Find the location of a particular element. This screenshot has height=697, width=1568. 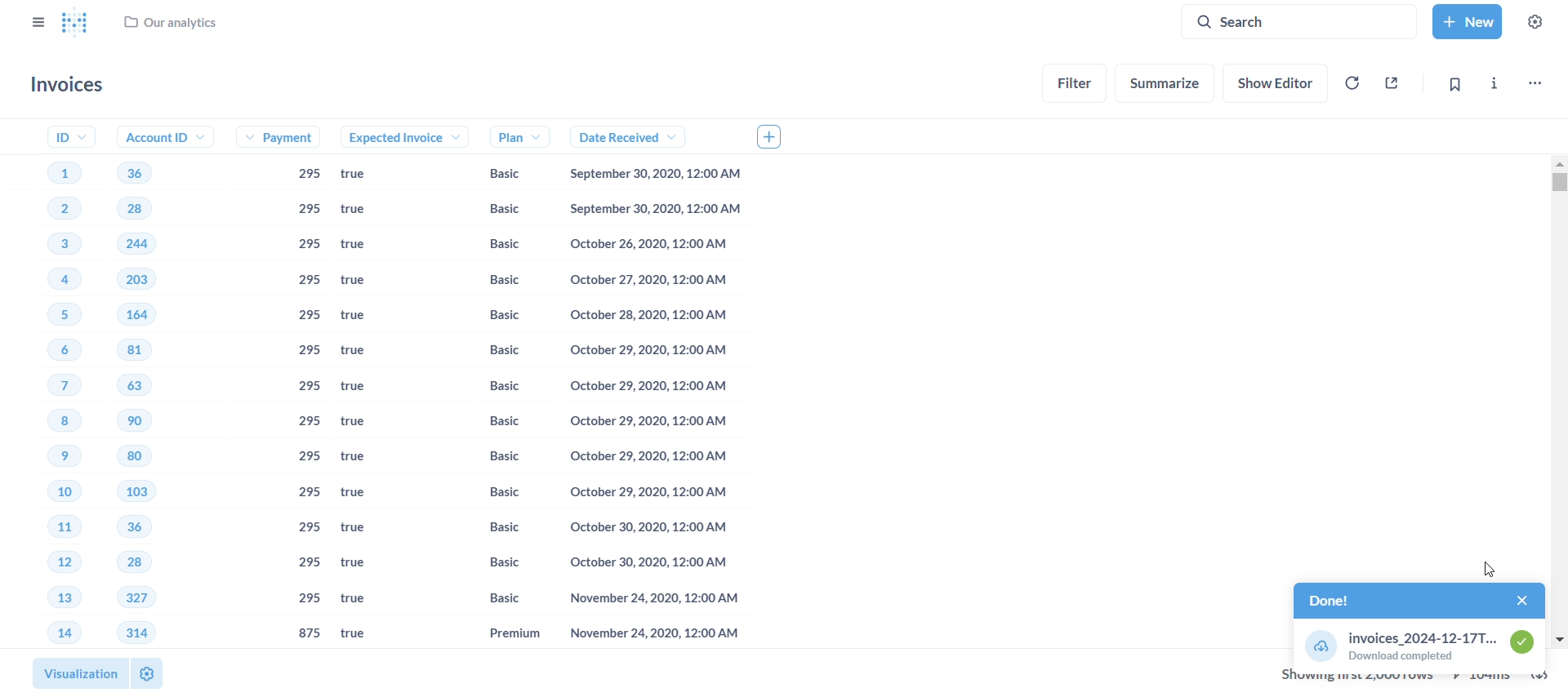

October 30, 2020, 12:00 AM is located at coordinates (644, 562).